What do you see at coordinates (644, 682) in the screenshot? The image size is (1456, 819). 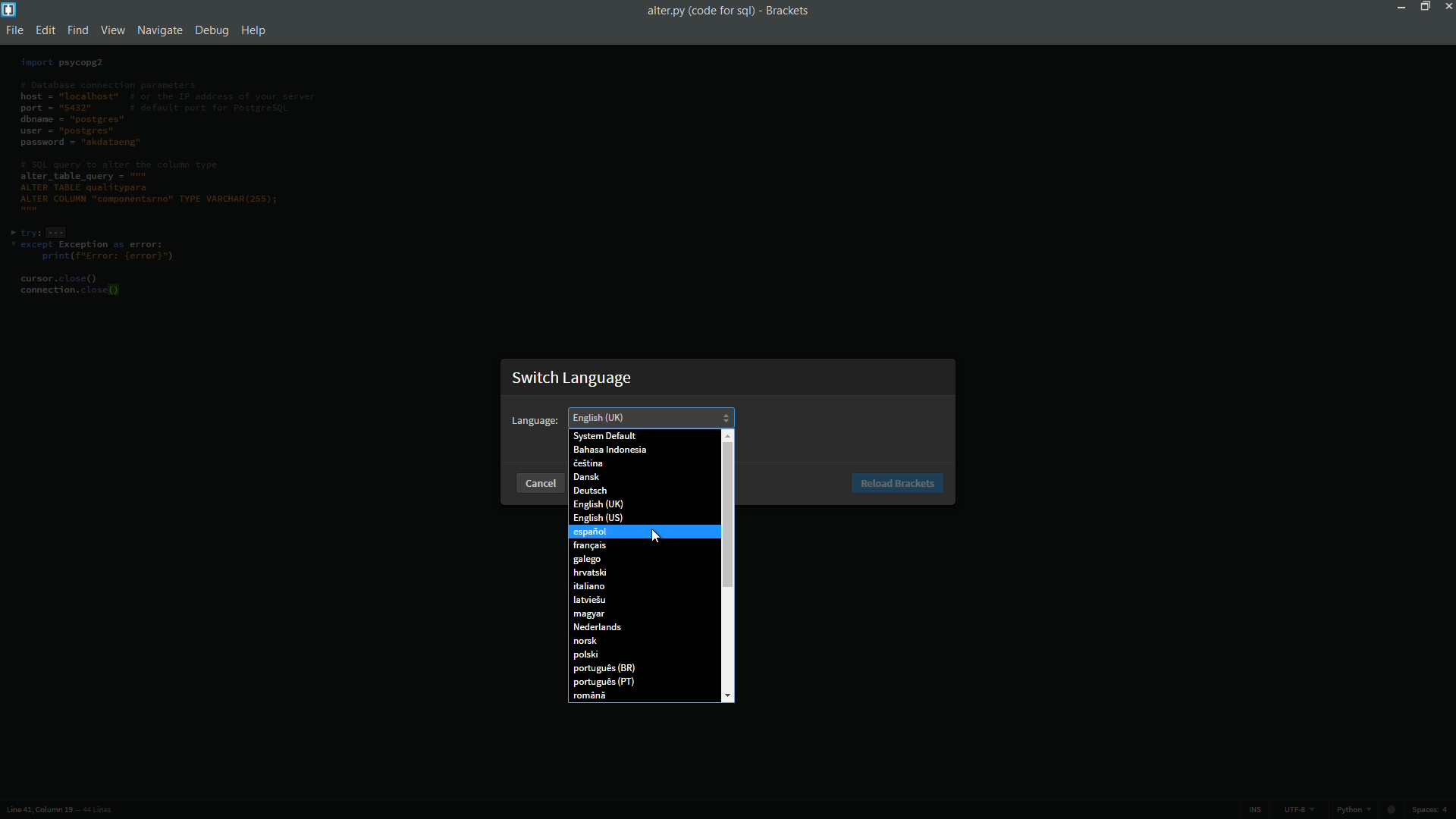 I see `portugues(PT)` at bounding box center [644, 682].